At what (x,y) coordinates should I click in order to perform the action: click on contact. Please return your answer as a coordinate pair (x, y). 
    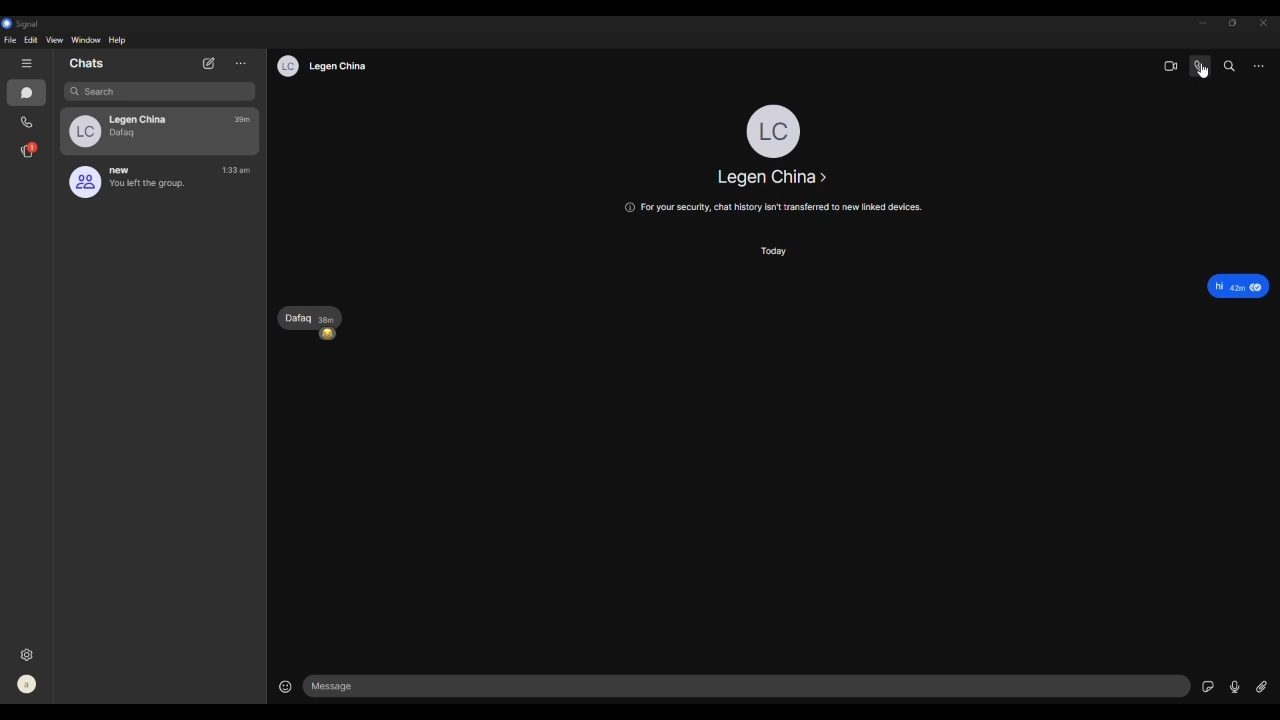
    Looking at the image, I should click on (776, 177).